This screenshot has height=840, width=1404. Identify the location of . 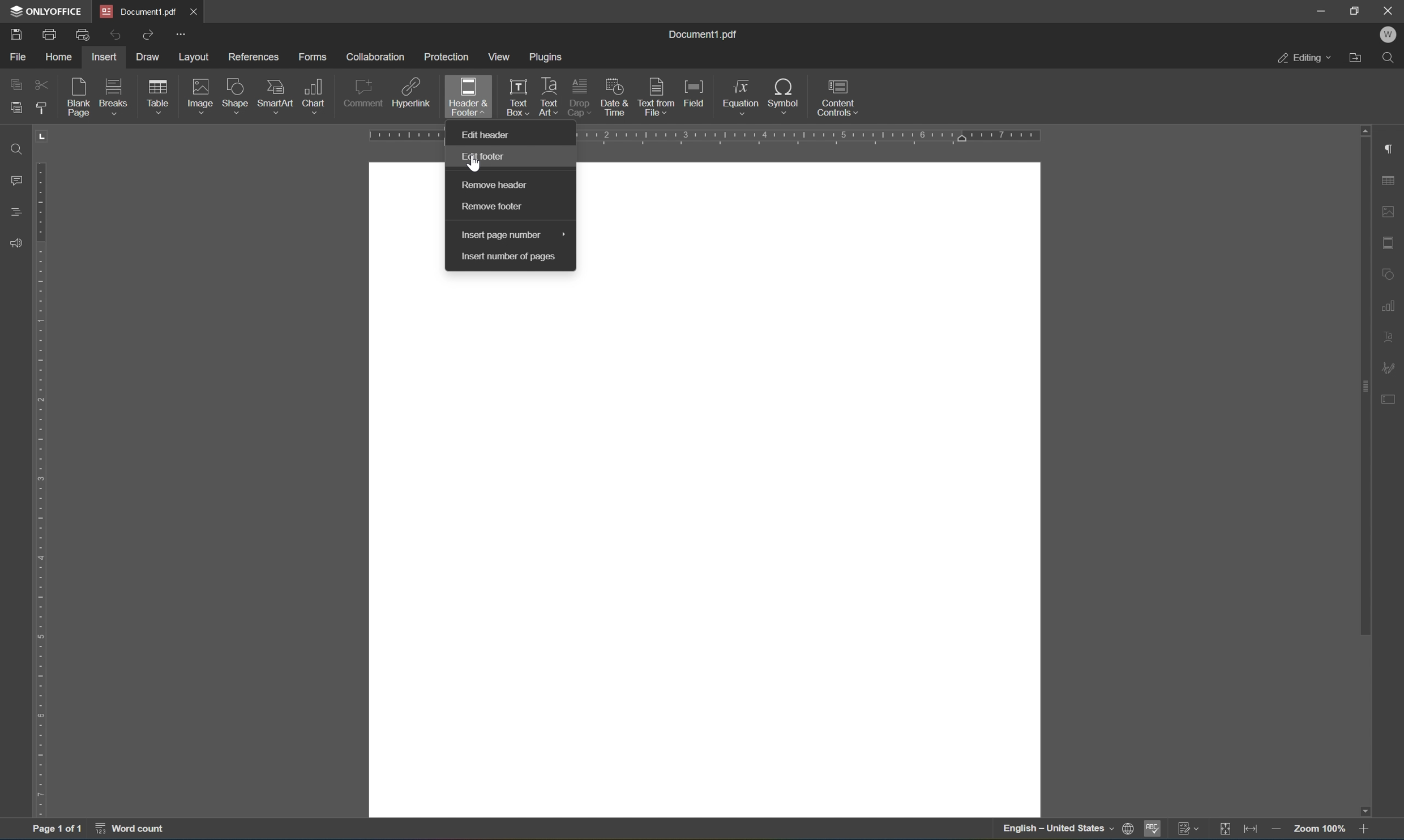
(1371, 809).